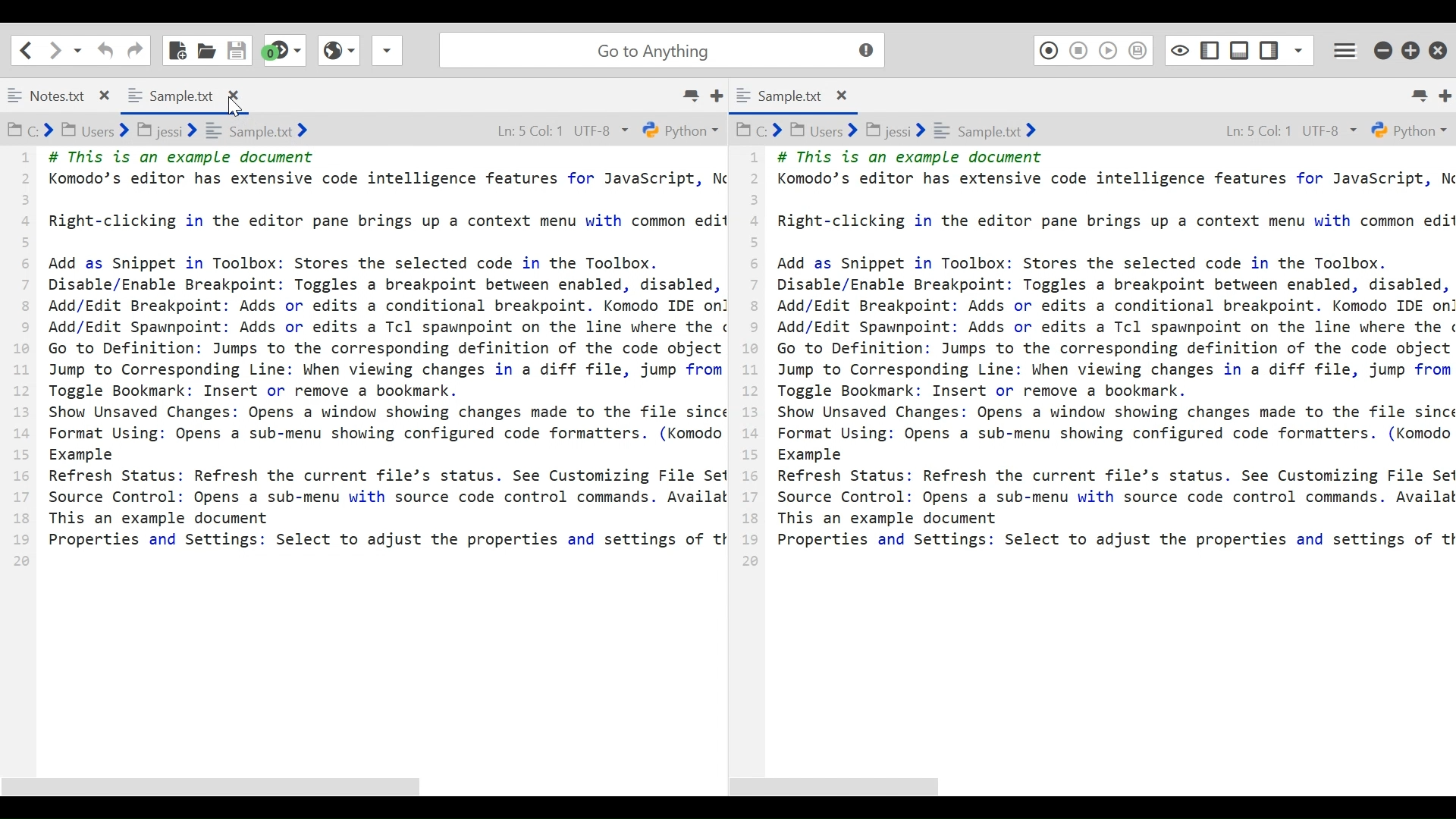 Image resolution: width=1456 pixels, height=819 pixels. What do you see at coordinates (666, 50) in the screenshot?
I see `Go to Anything` at bounding box center [666, 50].